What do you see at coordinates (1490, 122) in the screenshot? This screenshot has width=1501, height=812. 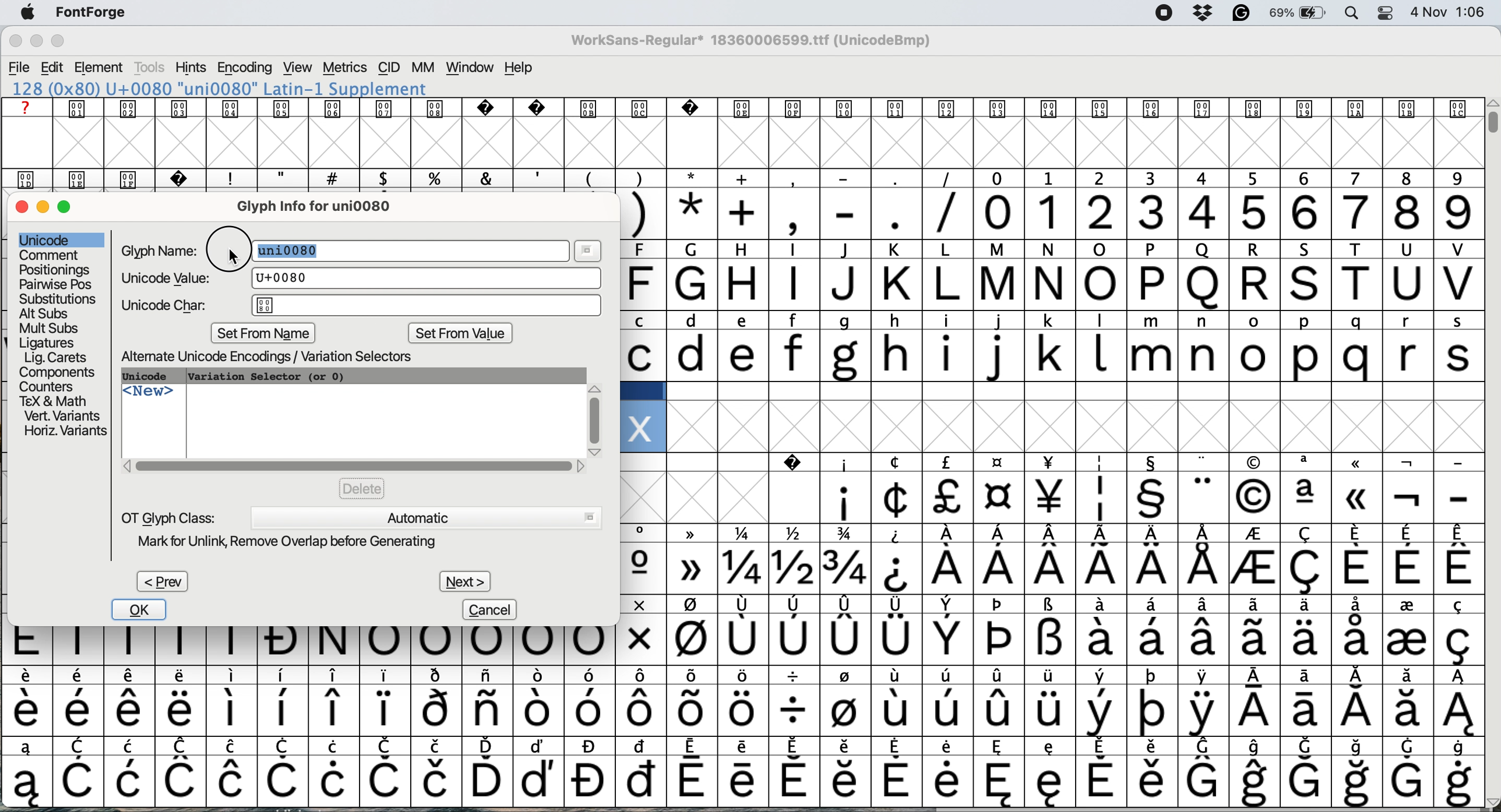 I see `vertical scroll bar` at bounding box center [1490, 122].